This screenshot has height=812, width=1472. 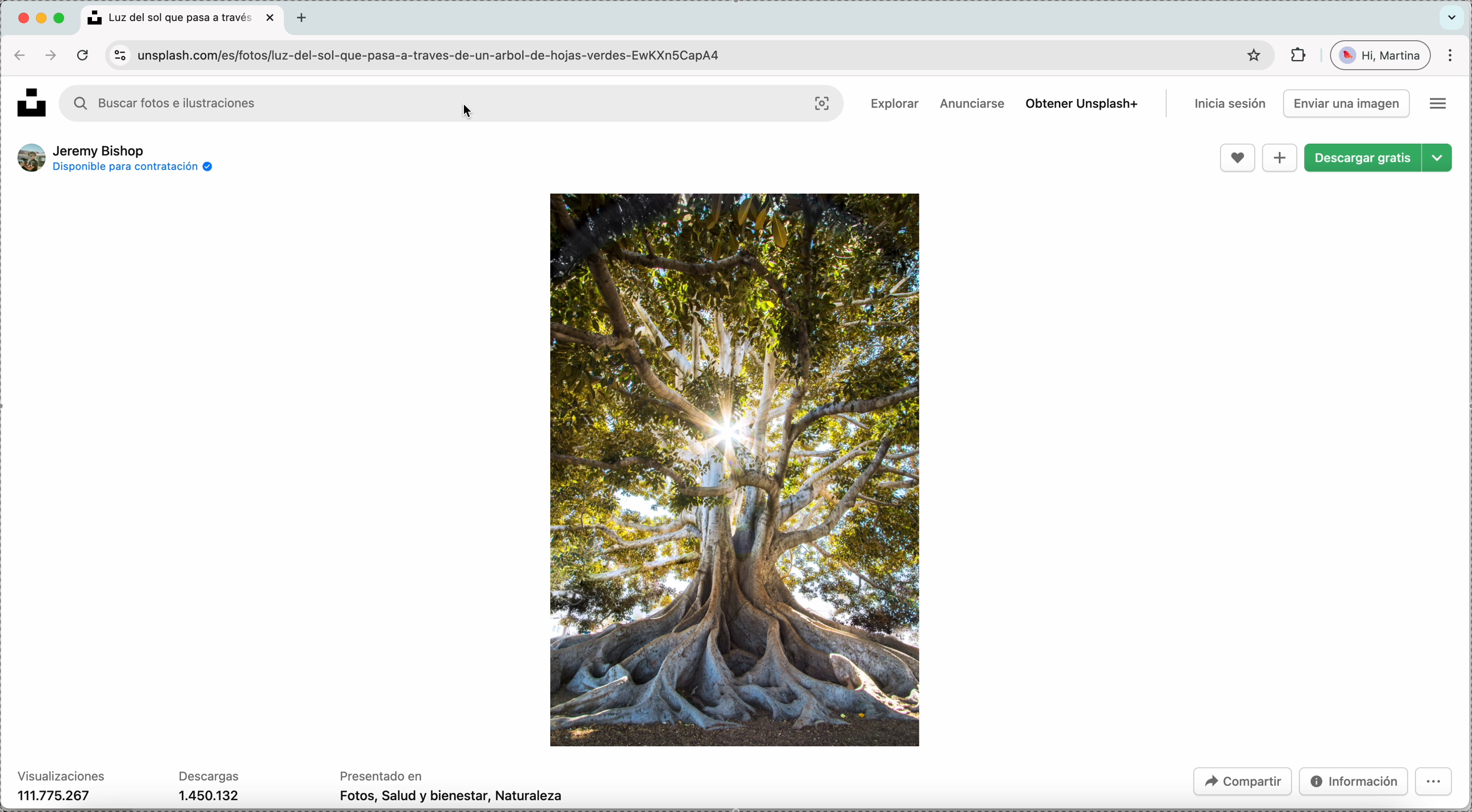 What do you see at coordinates (63, 18) in the screenshot?
I see `maximize` at bounding box center [63, 18].